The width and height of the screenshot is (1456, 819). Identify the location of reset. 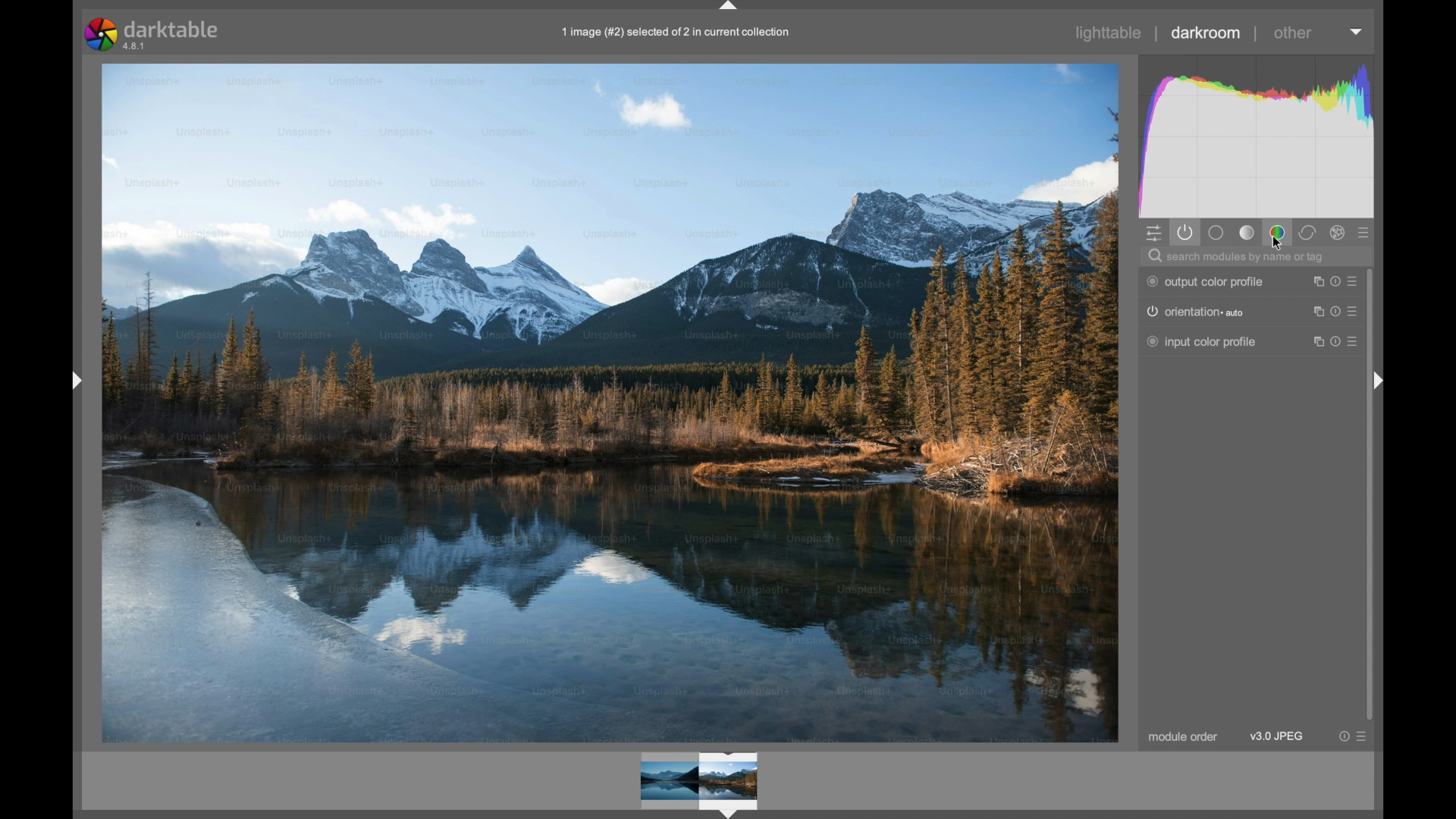
(1342, 736).